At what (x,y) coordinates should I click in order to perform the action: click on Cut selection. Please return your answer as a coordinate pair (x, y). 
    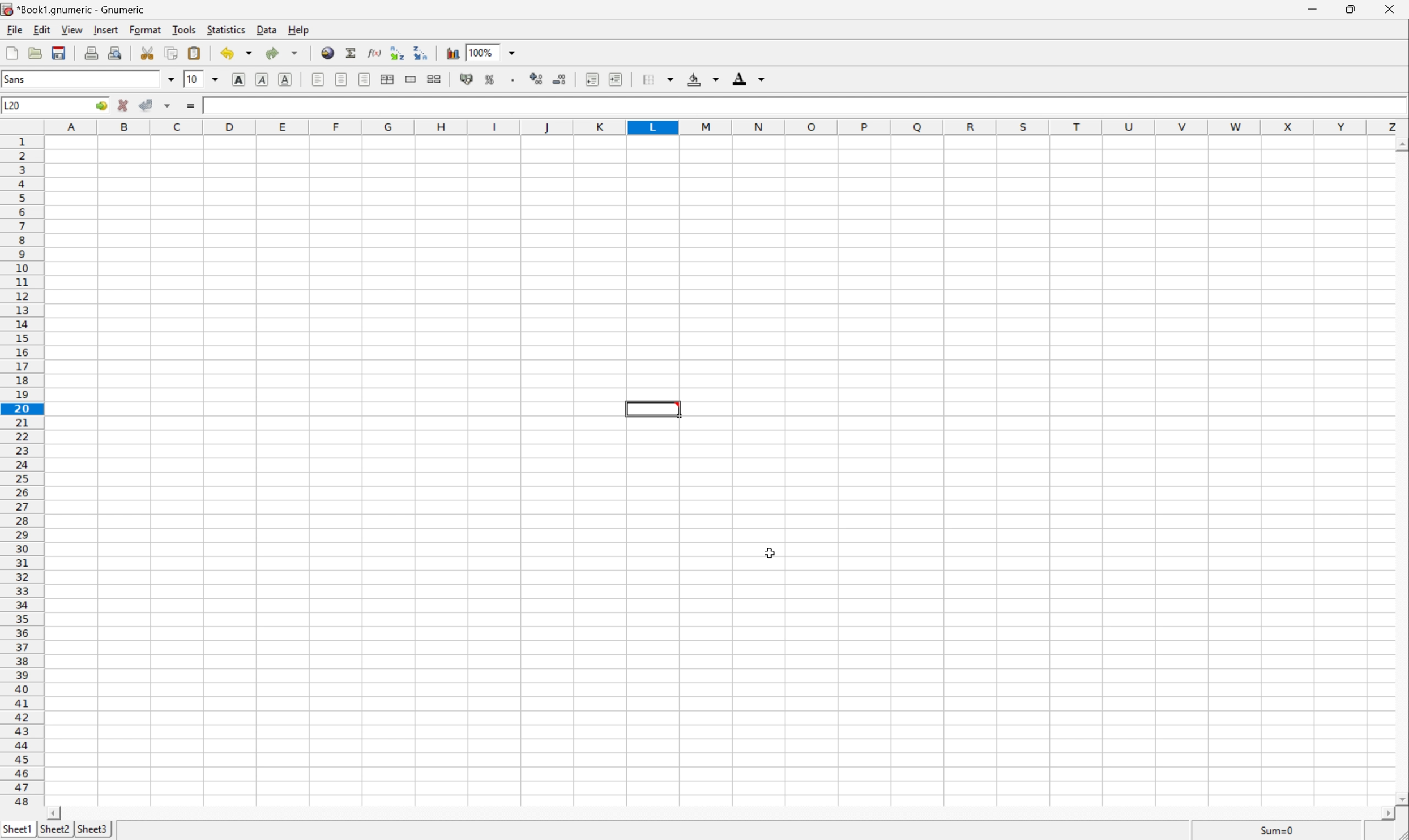
    Looking at the image, I should click on (150, 52).